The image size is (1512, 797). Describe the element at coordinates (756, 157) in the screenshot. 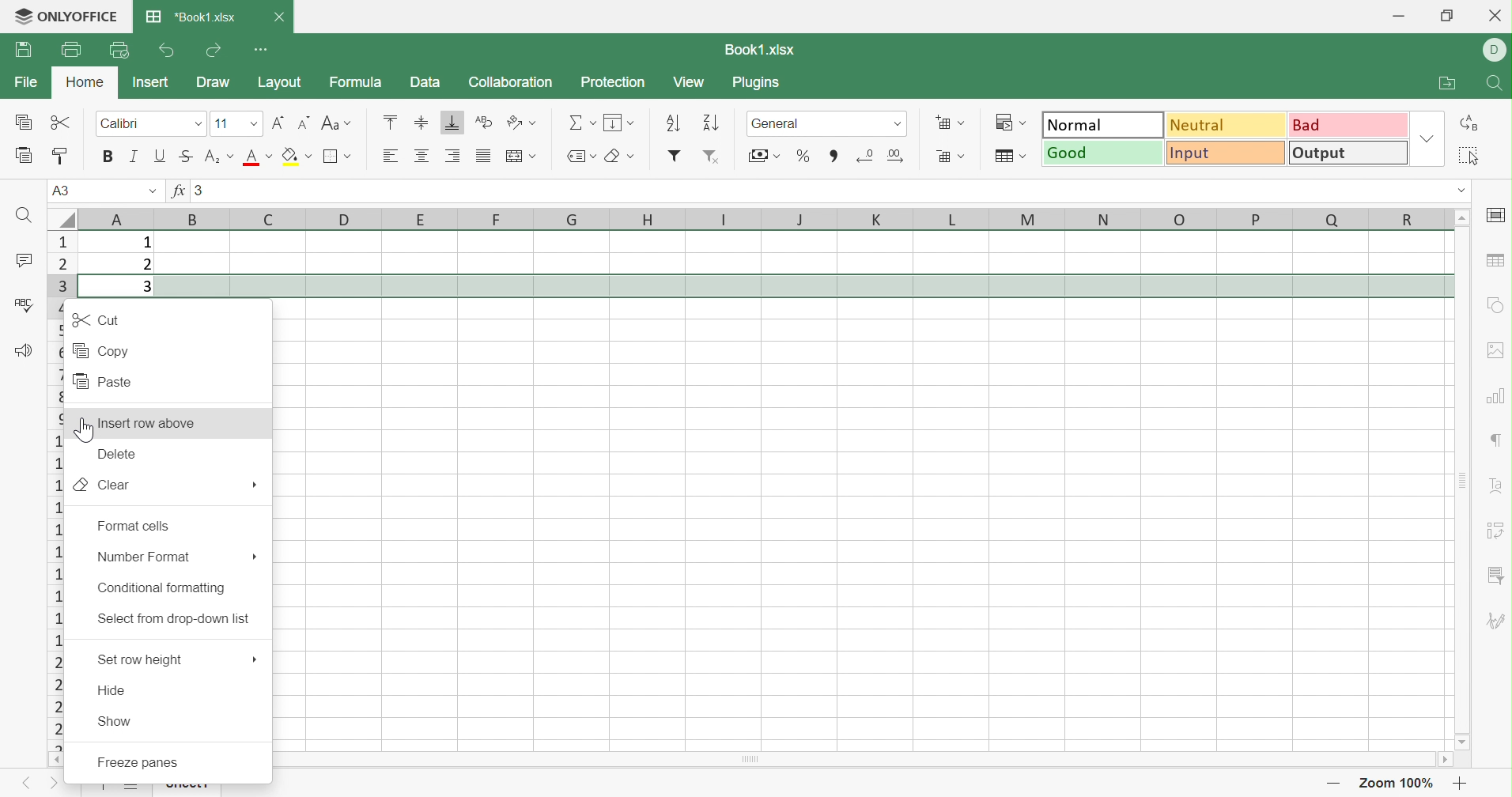

I see `Accounting style` at that location.